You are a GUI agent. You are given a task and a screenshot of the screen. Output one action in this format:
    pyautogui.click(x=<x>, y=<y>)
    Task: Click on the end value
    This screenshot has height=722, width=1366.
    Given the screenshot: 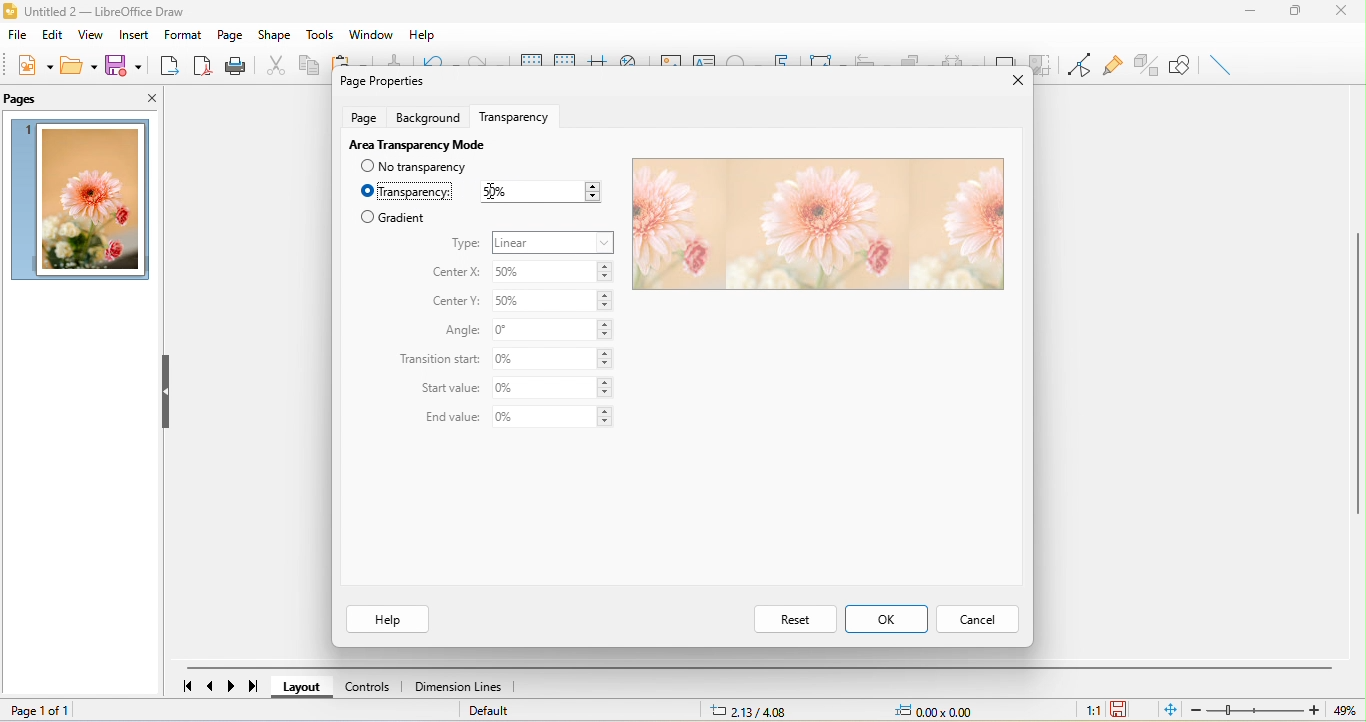 What is the action you would take?
    pyautogui.click(x=447, y=418)
    